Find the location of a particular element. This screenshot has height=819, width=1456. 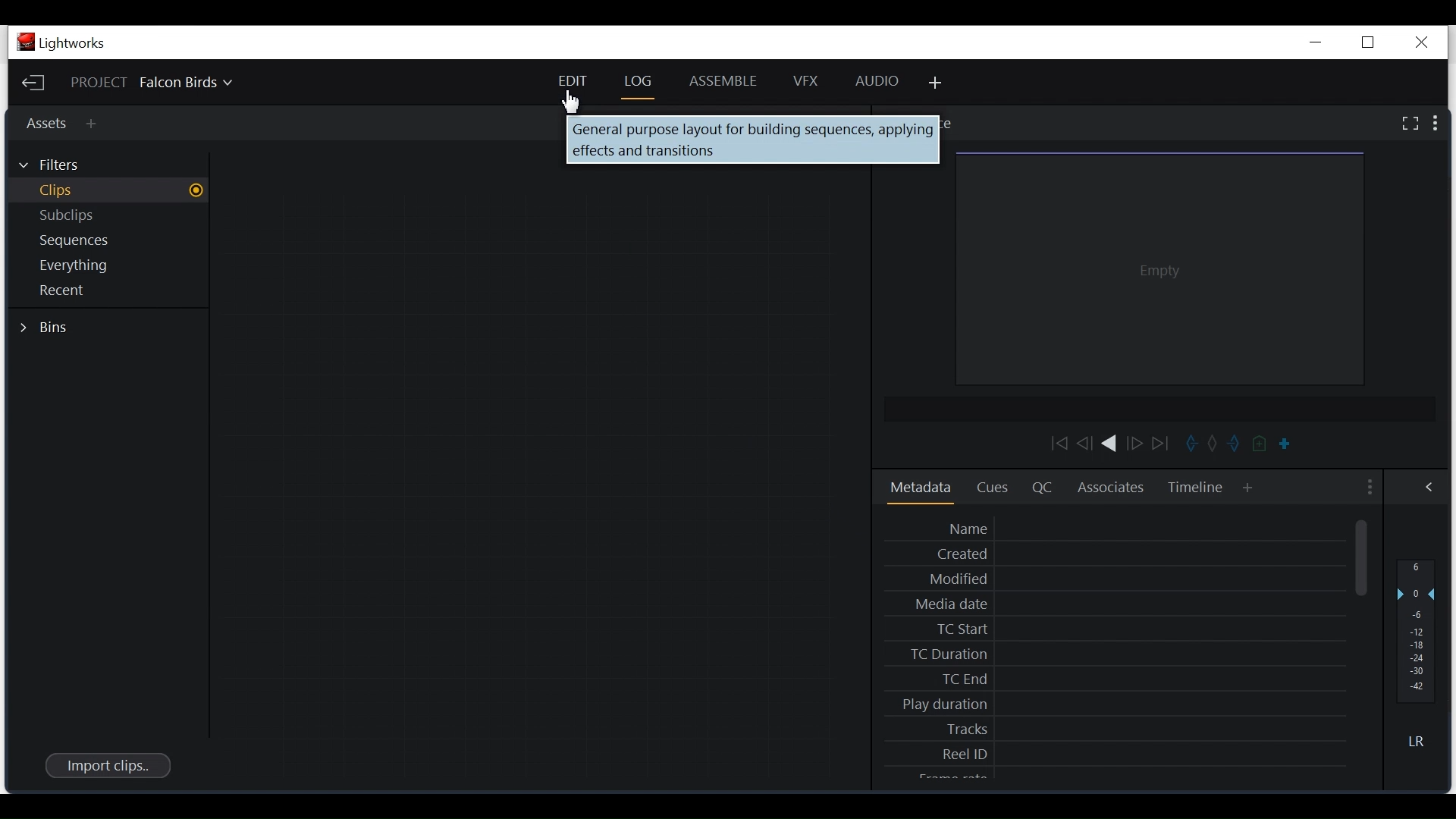

TC Start is located at coordinates (1122, 630).